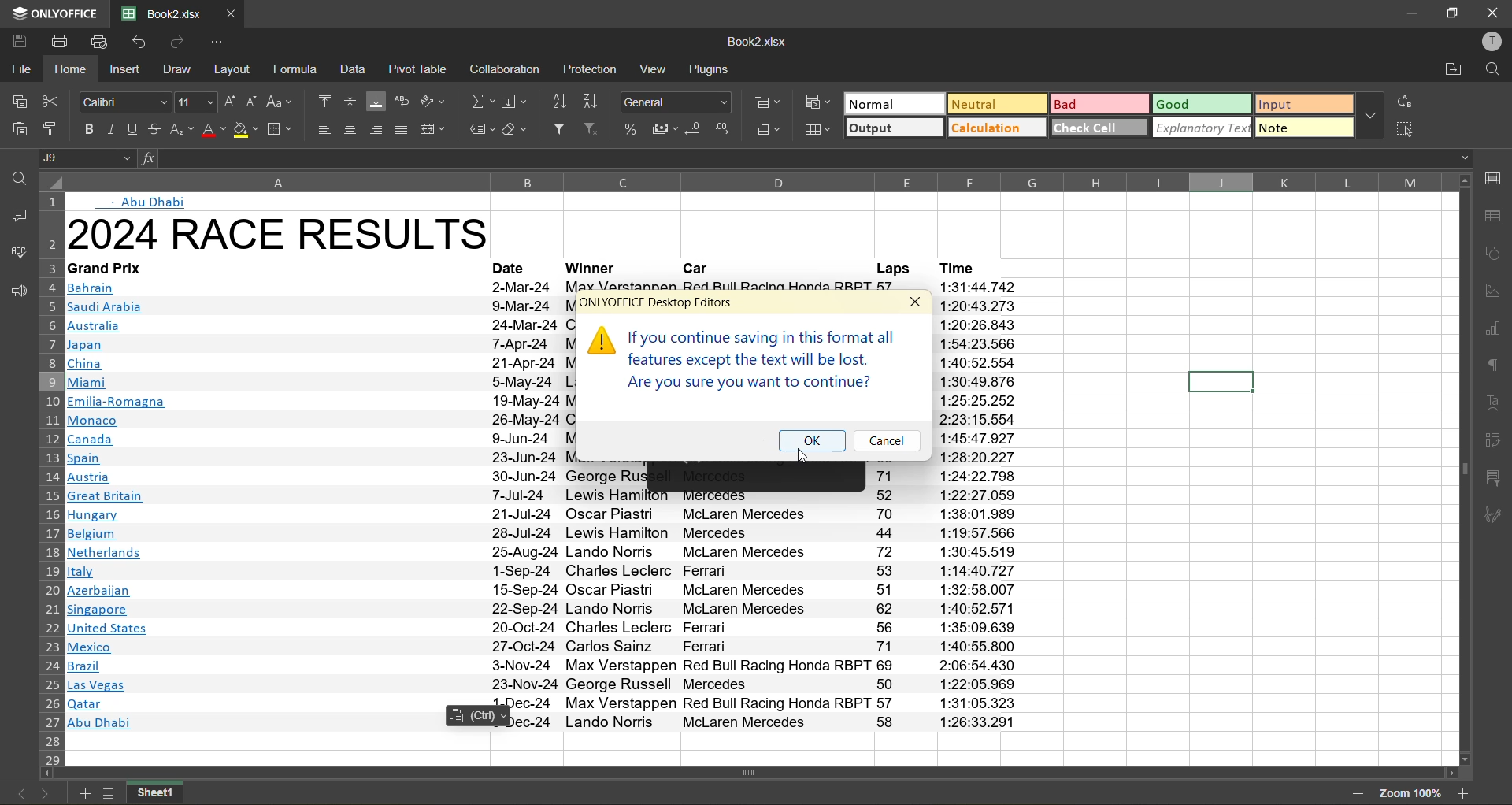 Image resolution: width=1512 pixels, height=805 pixels. I want to click on sheet name, so click(154, 793).